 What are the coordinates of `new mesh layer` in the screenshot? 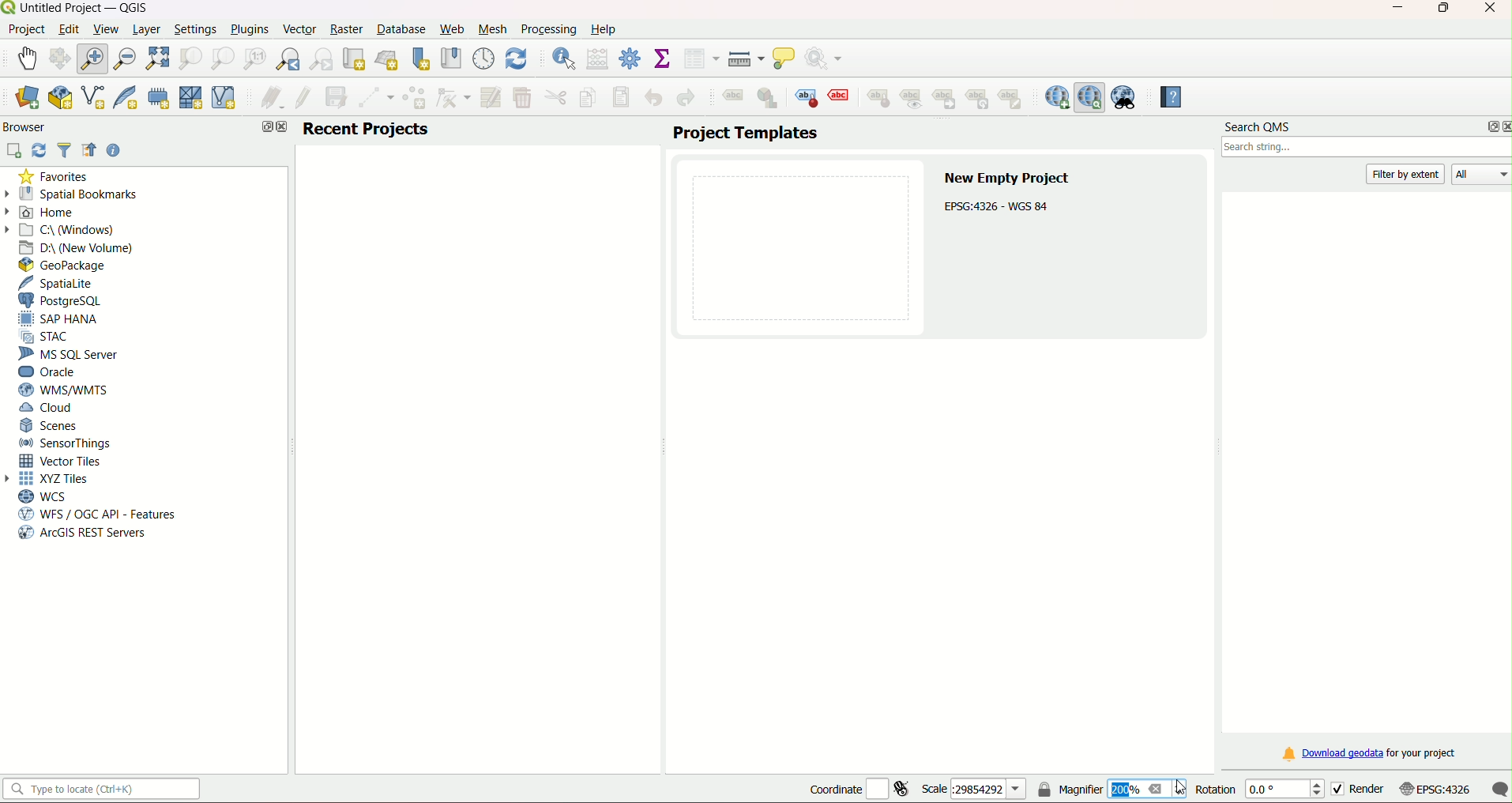 It's located at (191, 100).